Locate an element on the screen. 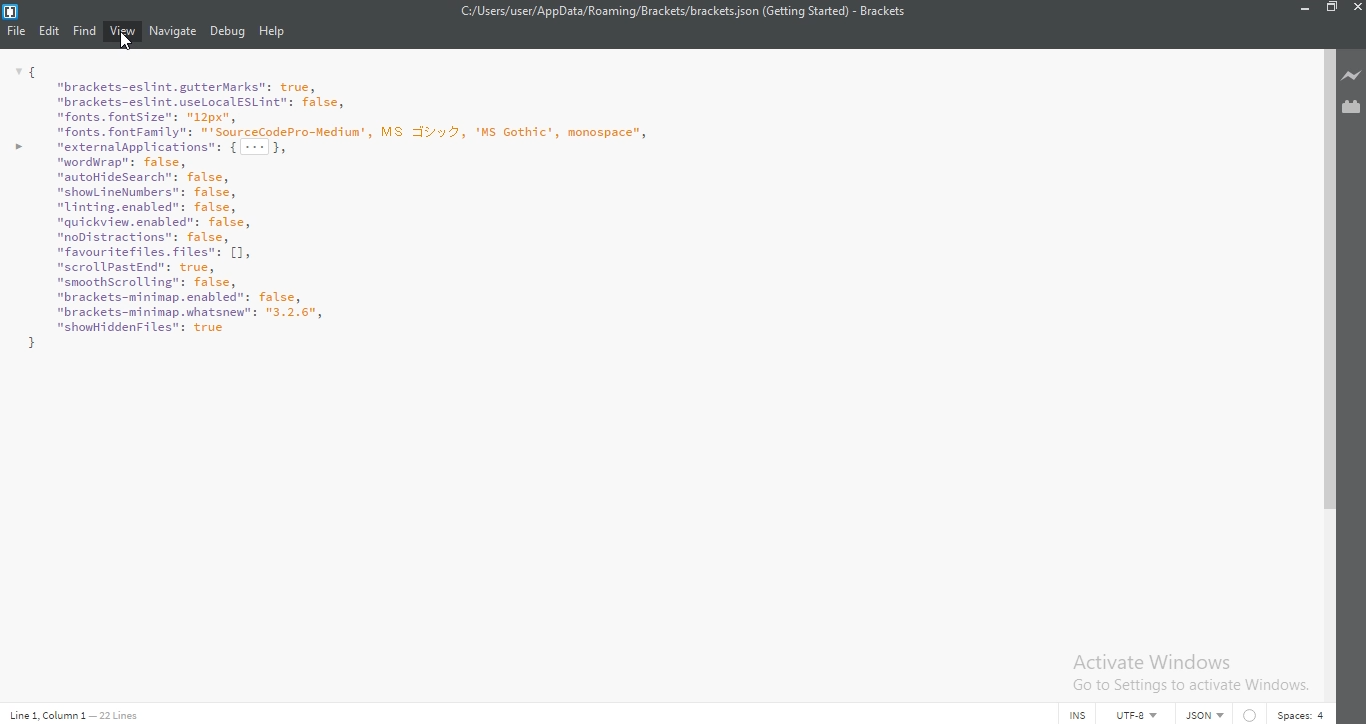 The image size is (1366, 724). Spaces:4 is located at coordinates (1305, 713).